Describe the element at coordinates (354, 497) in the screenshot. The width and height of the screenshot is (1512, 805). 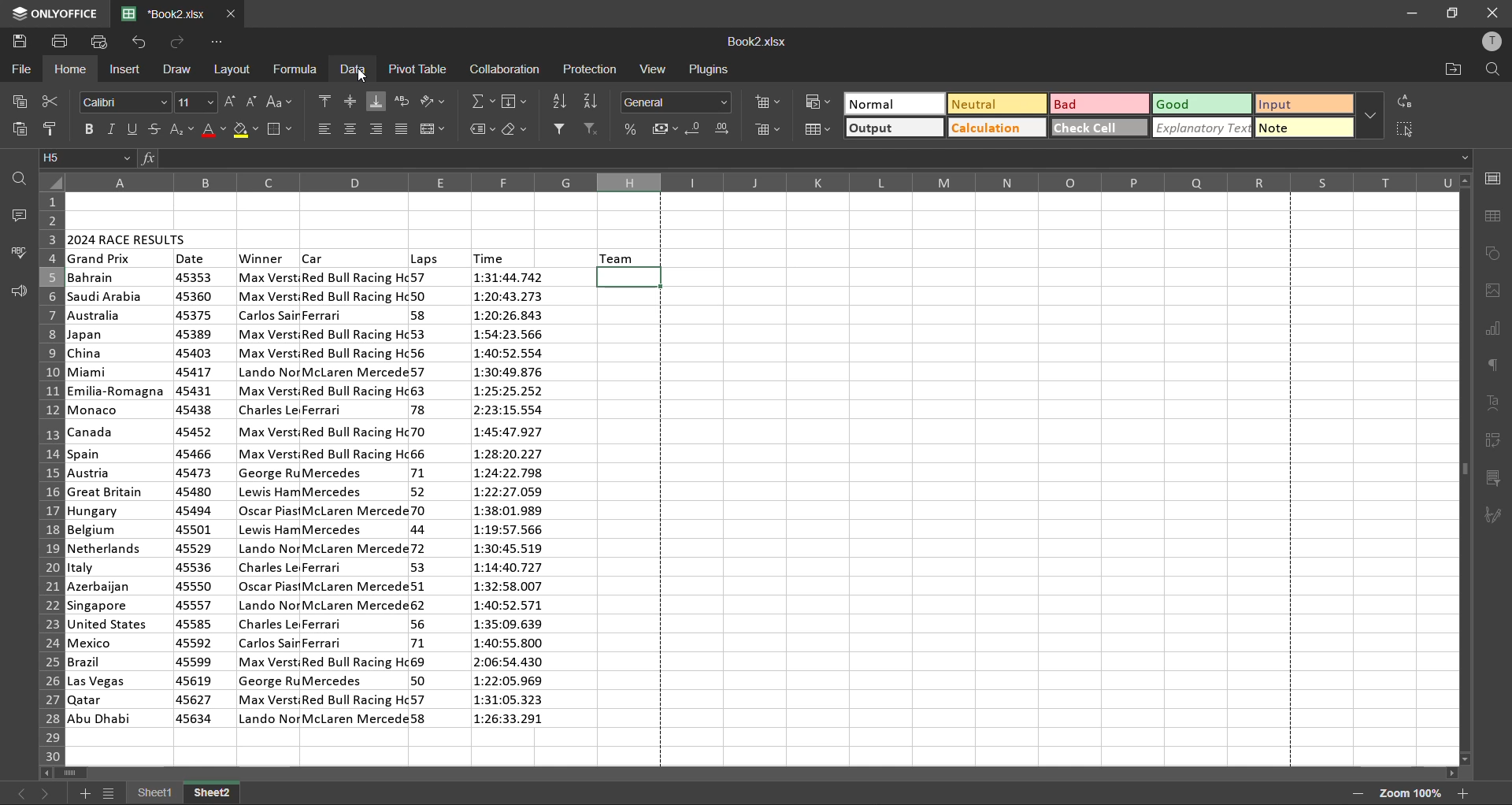
I see `car` at that location.